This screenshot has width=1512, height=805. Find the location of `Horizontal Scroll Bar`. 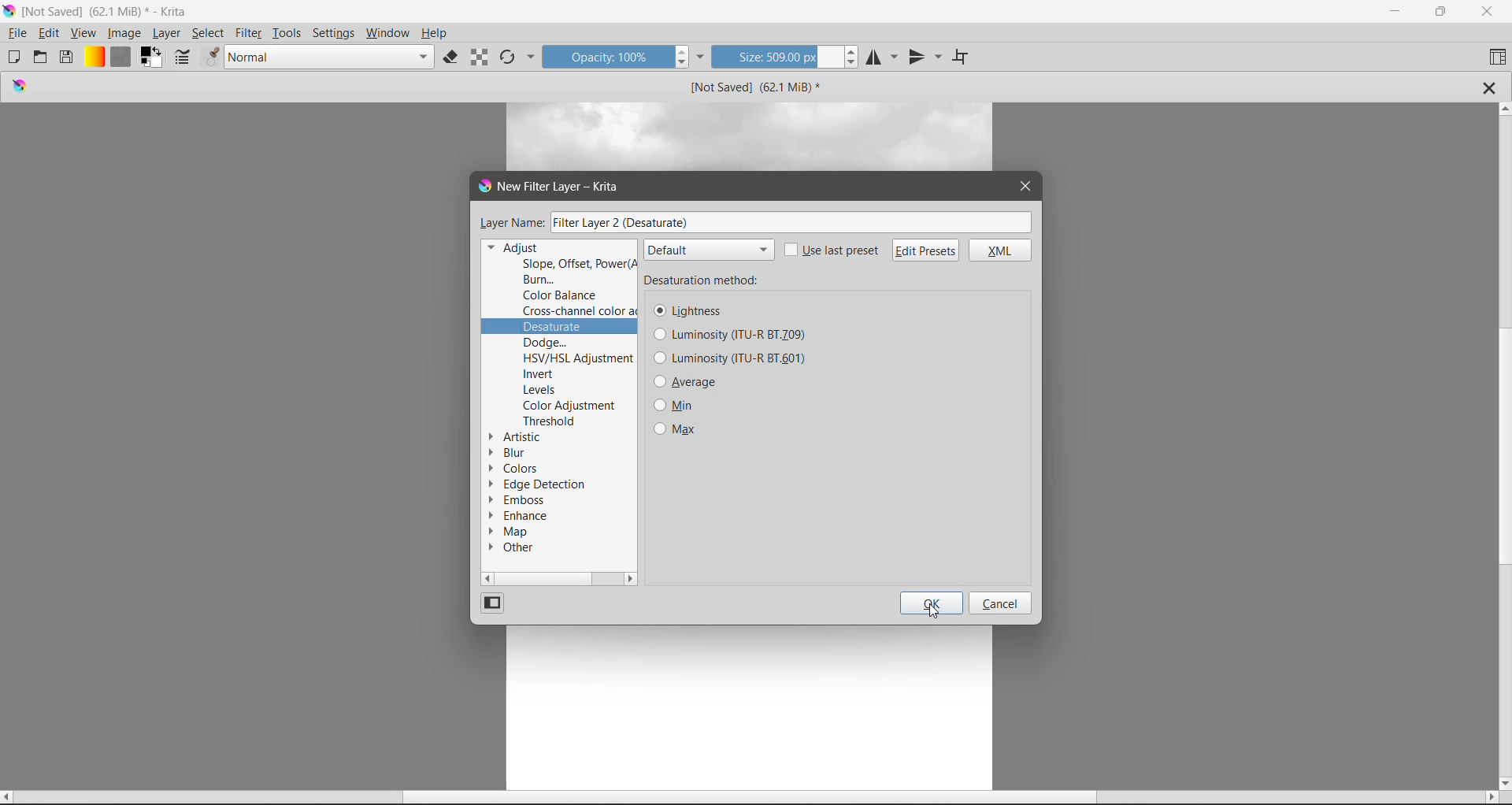

Horizontal Scroll Bar is located at coordinates (750, 798).